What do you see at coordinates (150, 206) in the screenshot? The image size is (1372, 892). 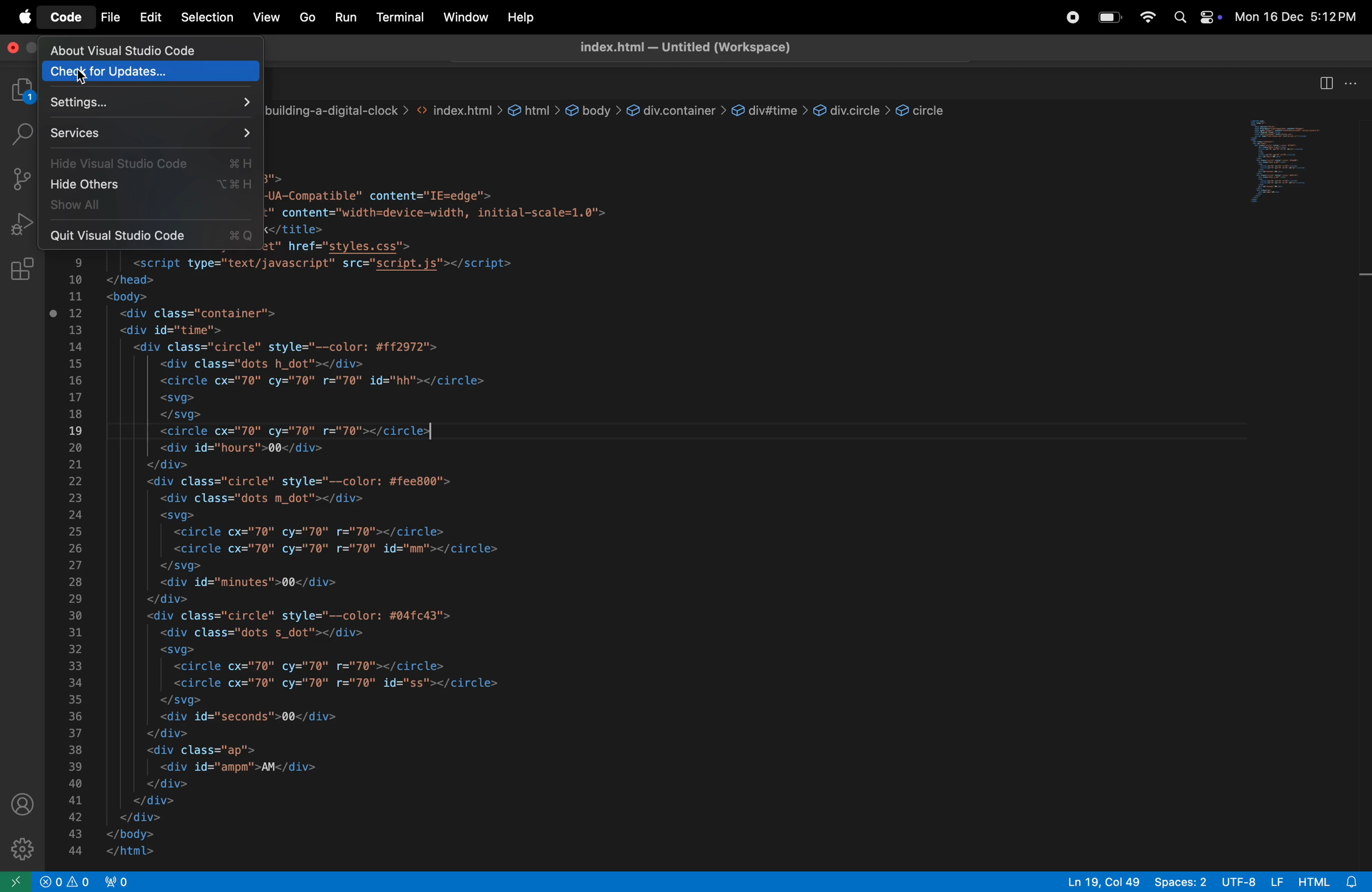 I see `show` at bounding box center [150, 206].